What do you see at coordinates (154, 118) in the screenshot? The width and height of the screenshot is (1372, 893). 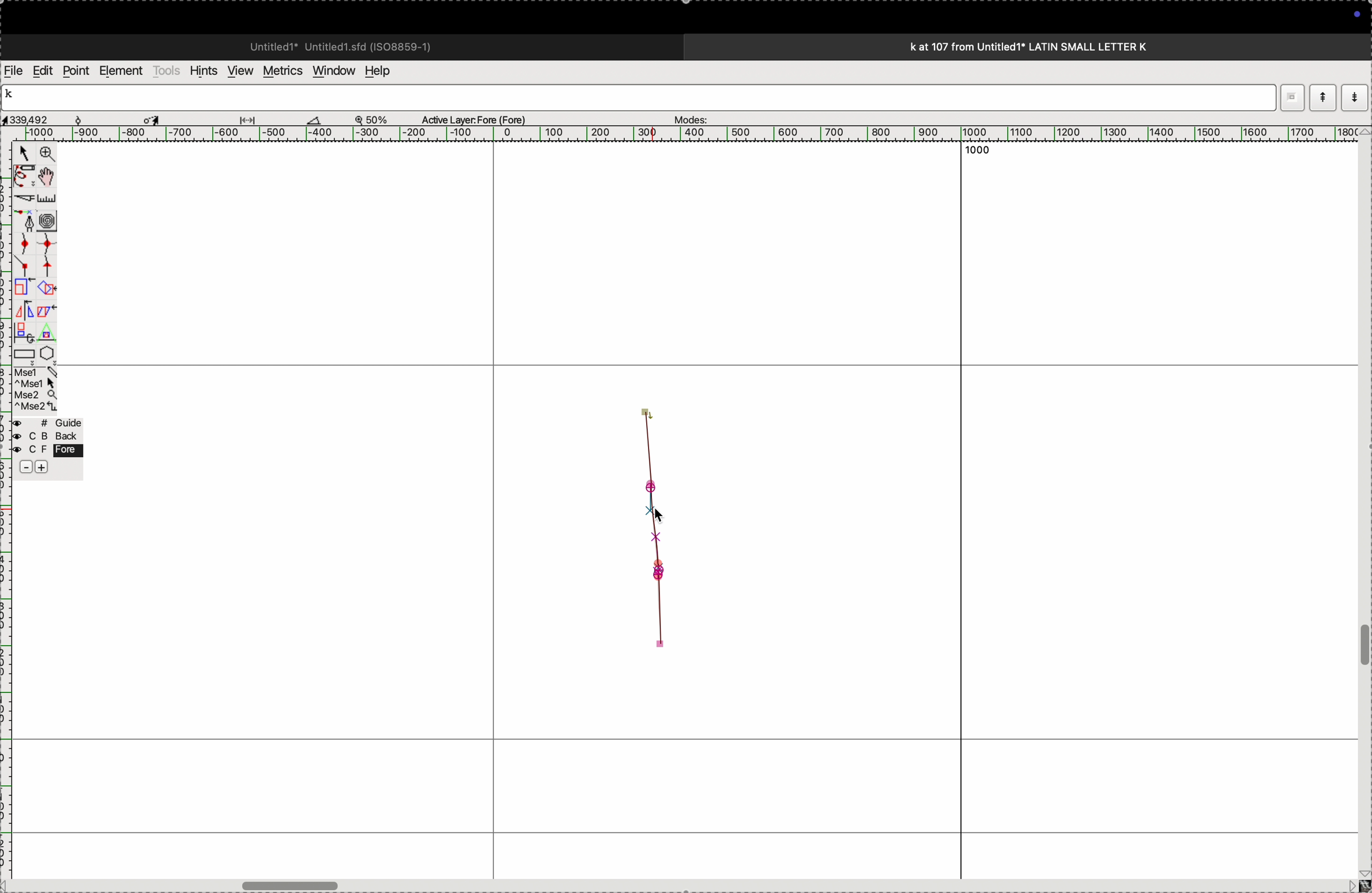 I see `cursor` at bounding box center [154, 118].